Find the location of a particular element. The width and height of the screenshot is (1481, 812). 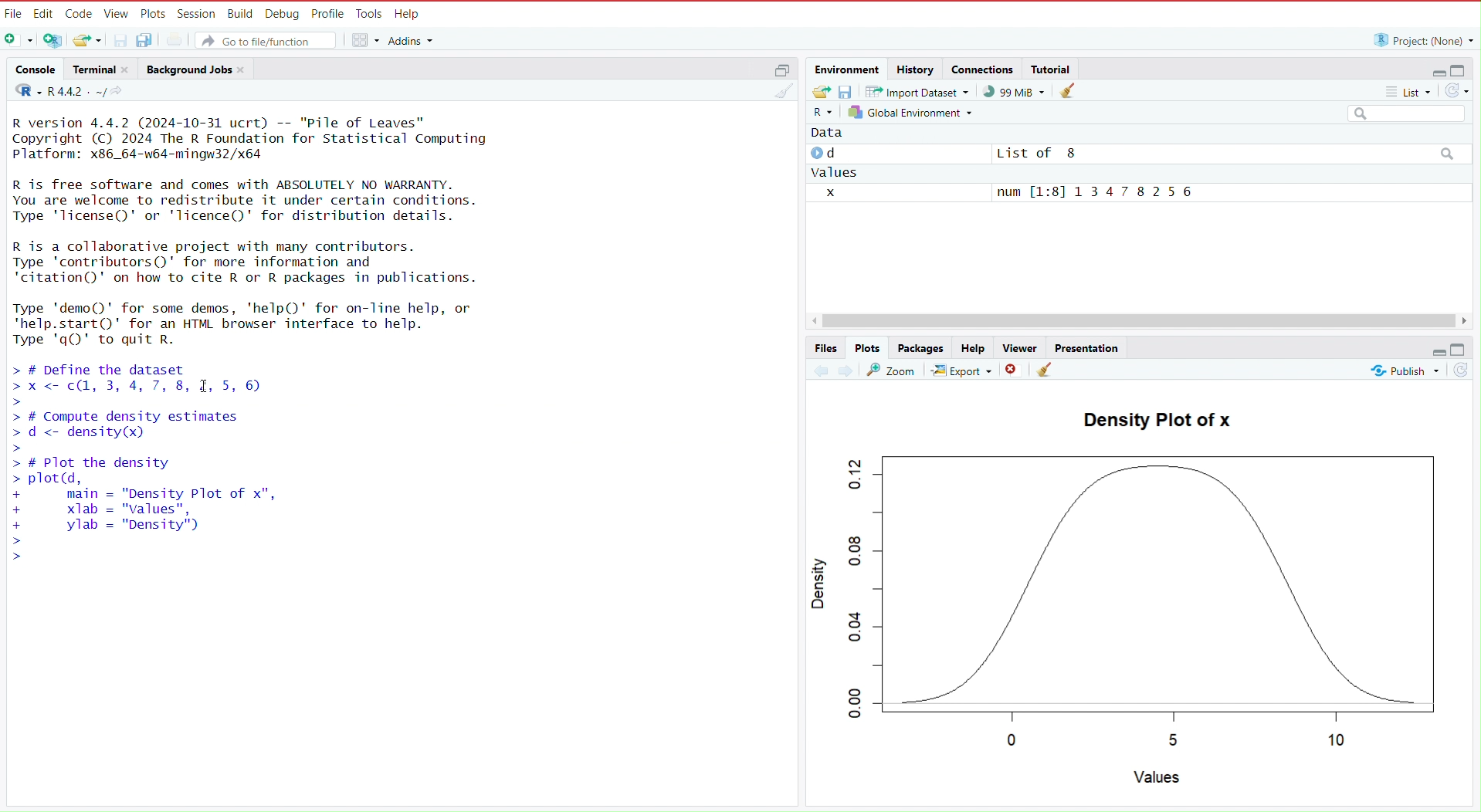

99 MiB is located at coordinates (1014, 92).